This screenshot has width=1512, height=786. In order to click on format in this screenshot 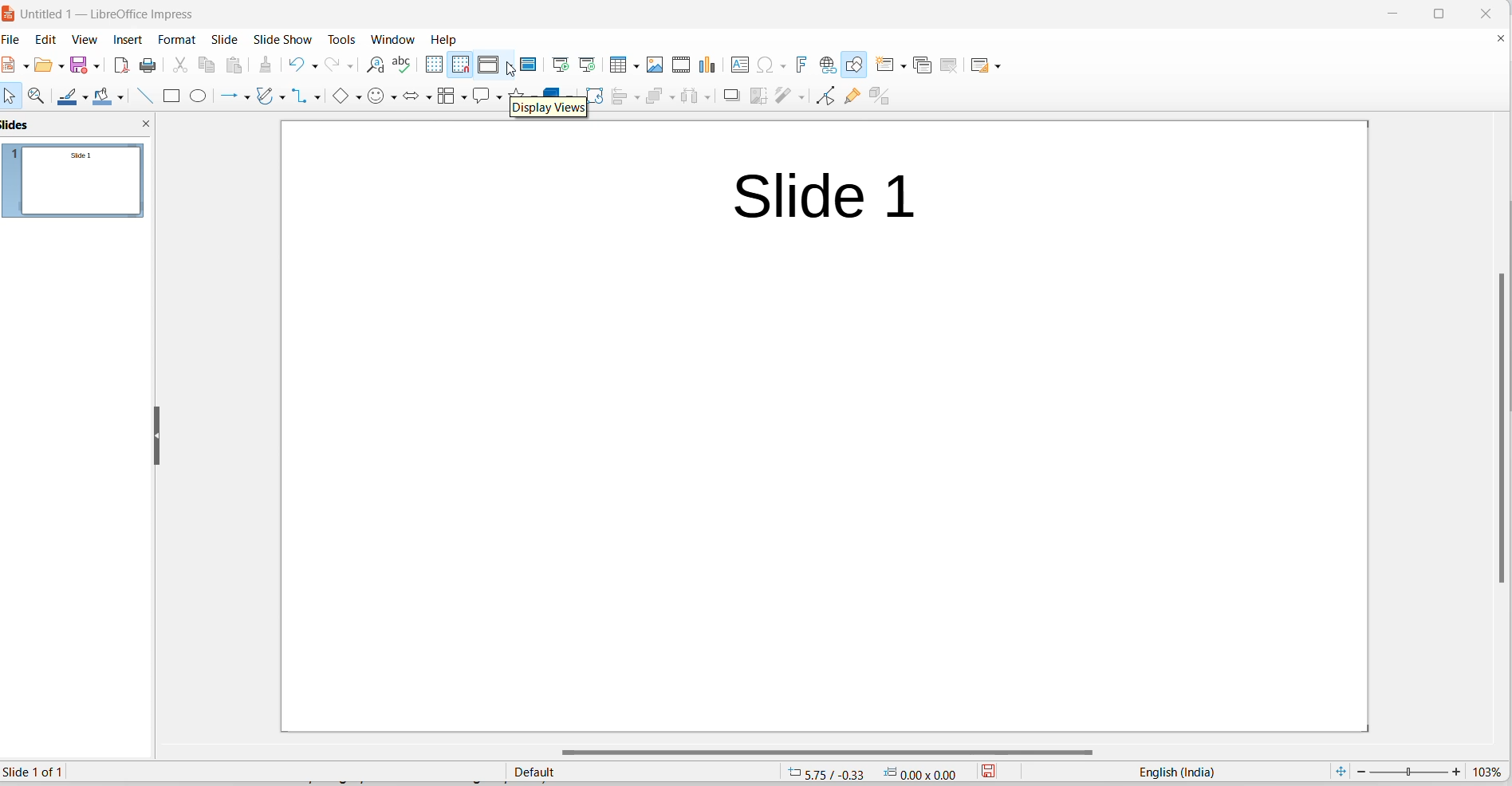, I will do `click(179, 39)`.